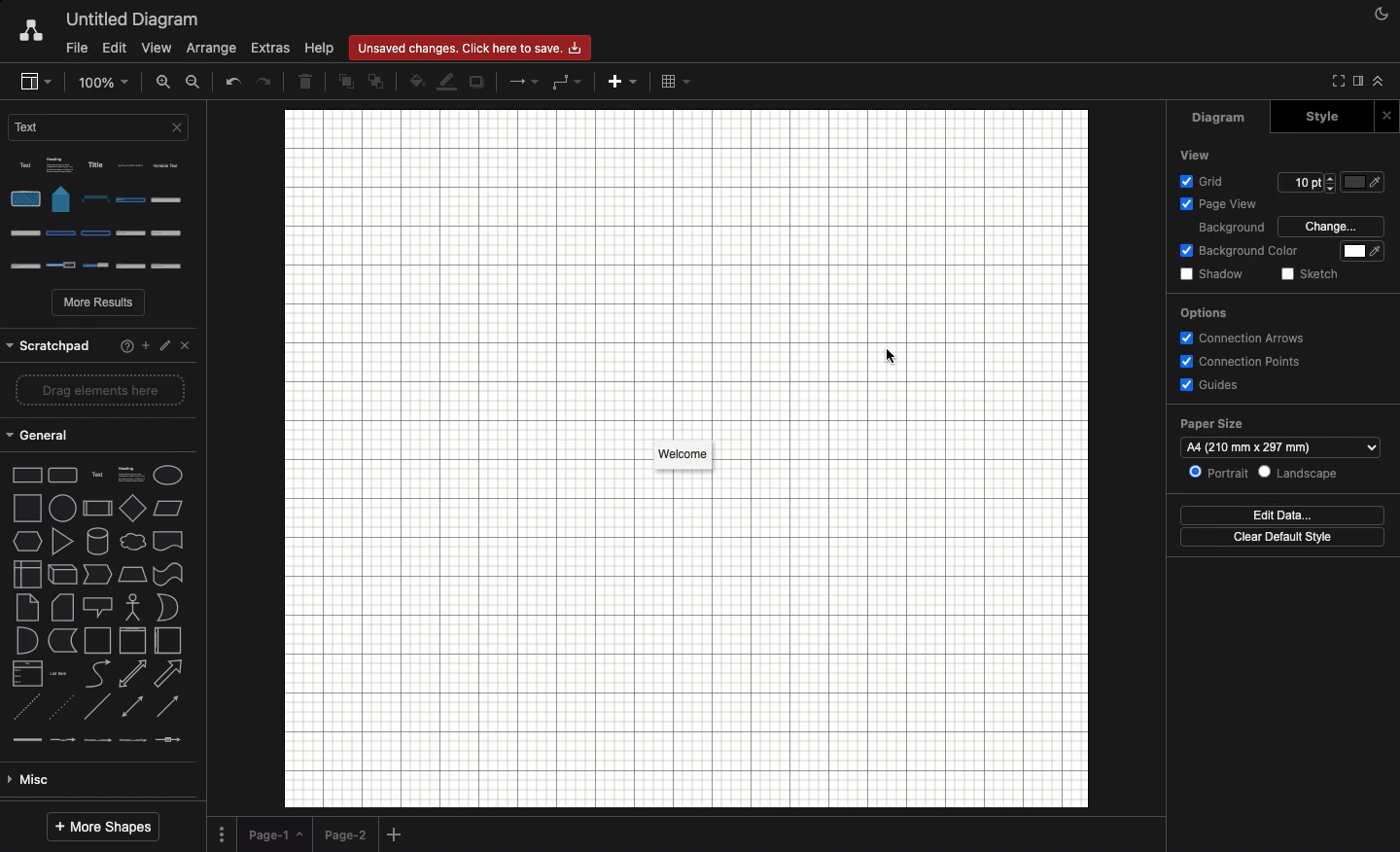 Image resolution: width=1400 pixels, height=852 pixels. I want to click on Basic, so click(98, 673).